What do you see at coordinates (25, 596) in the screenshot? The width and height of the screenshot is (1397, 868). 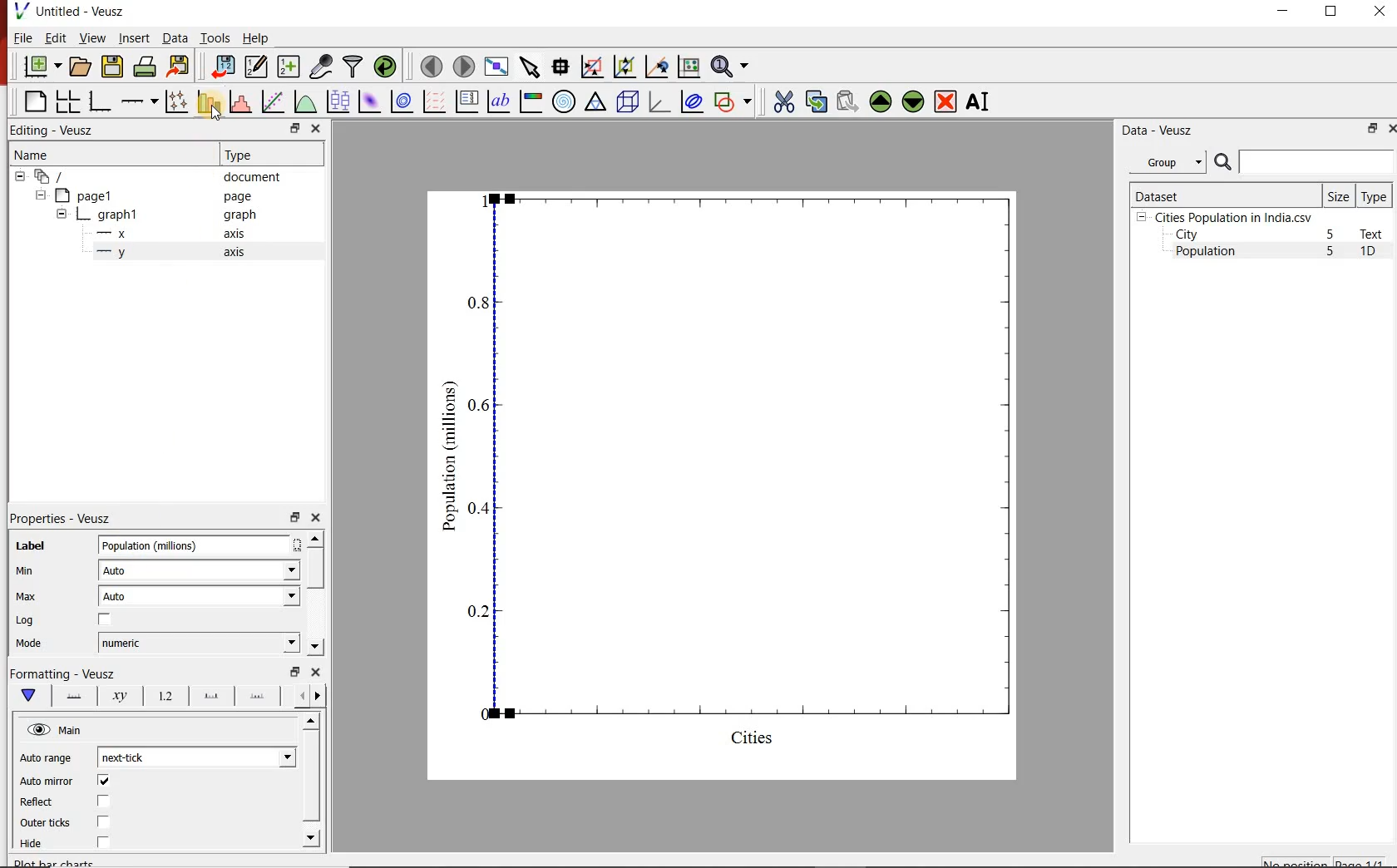 I see `Max` at bounding box center [25, 596].